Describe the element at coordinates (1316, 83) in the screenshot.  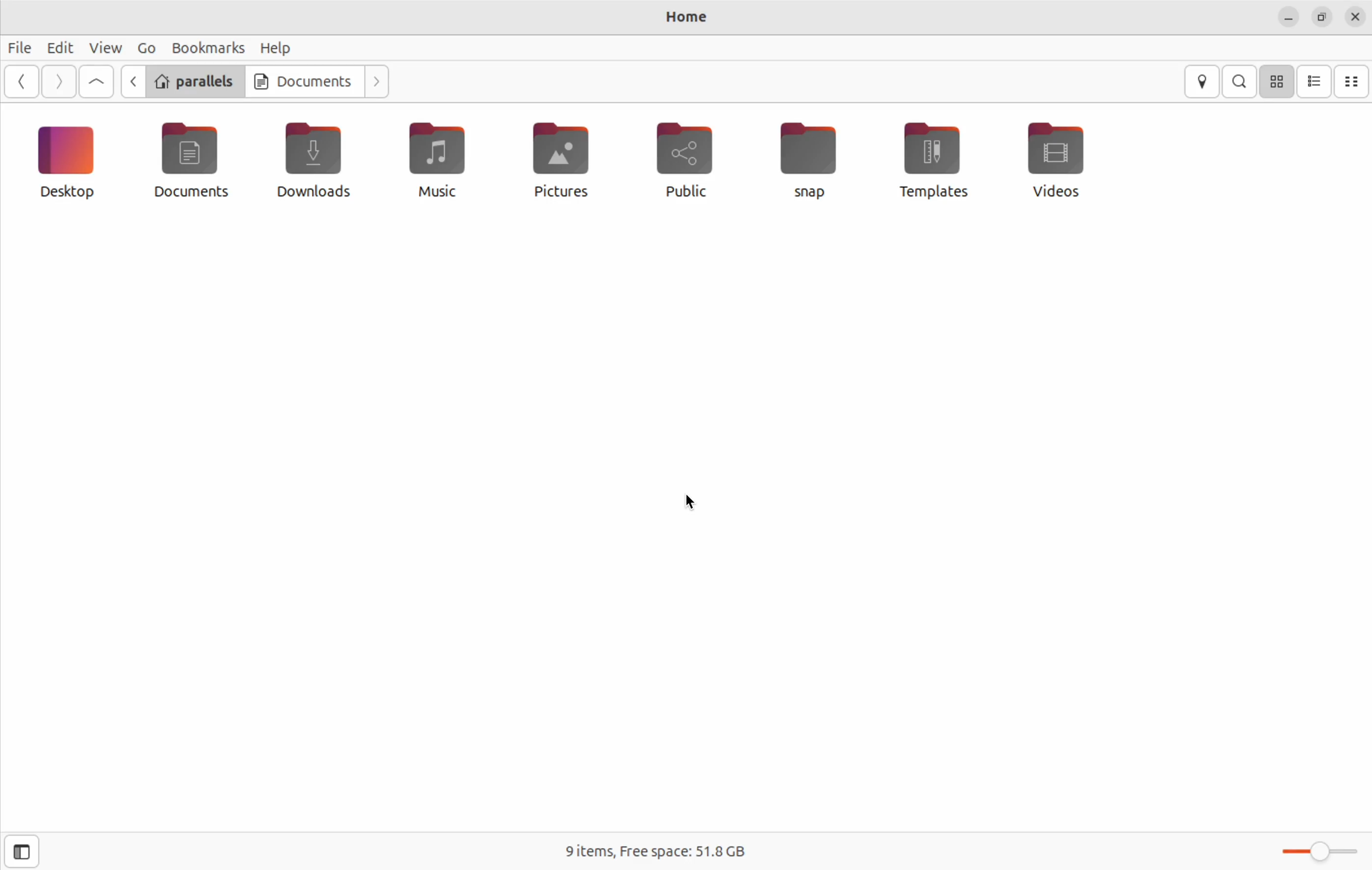
I see `list view` at that location.